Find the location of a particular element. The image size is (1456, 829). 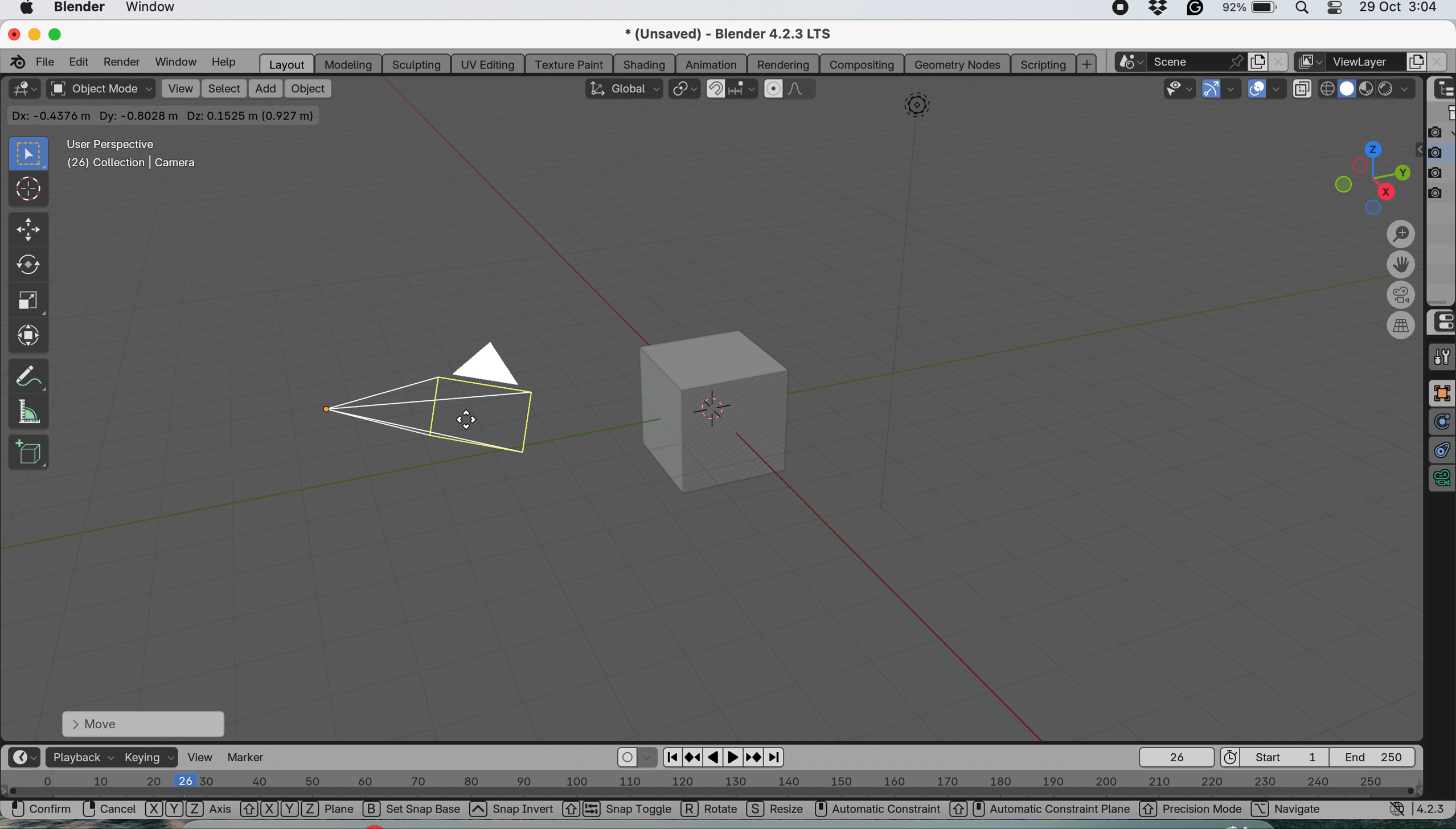

control center is located at coordinates (1441, 322).